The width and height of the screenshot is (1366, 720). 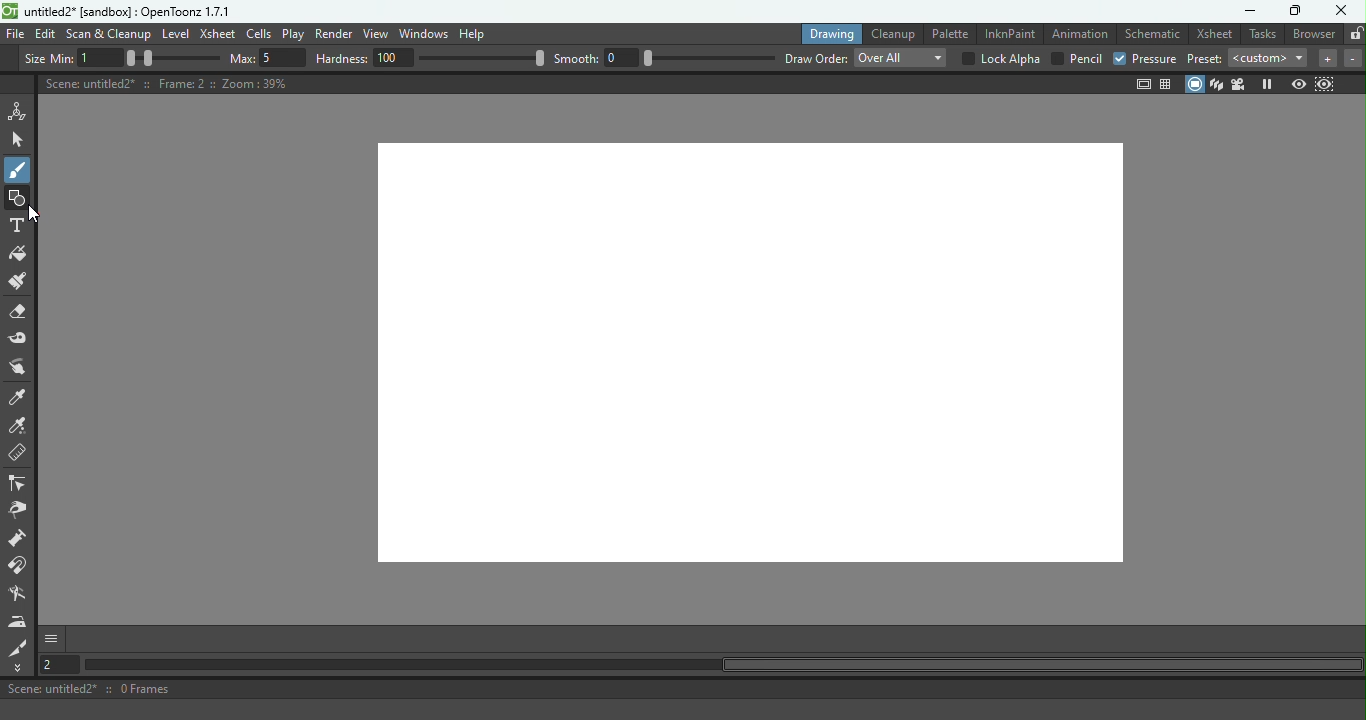 I want to click on RGB picker tool, so click(x=21, y=428).